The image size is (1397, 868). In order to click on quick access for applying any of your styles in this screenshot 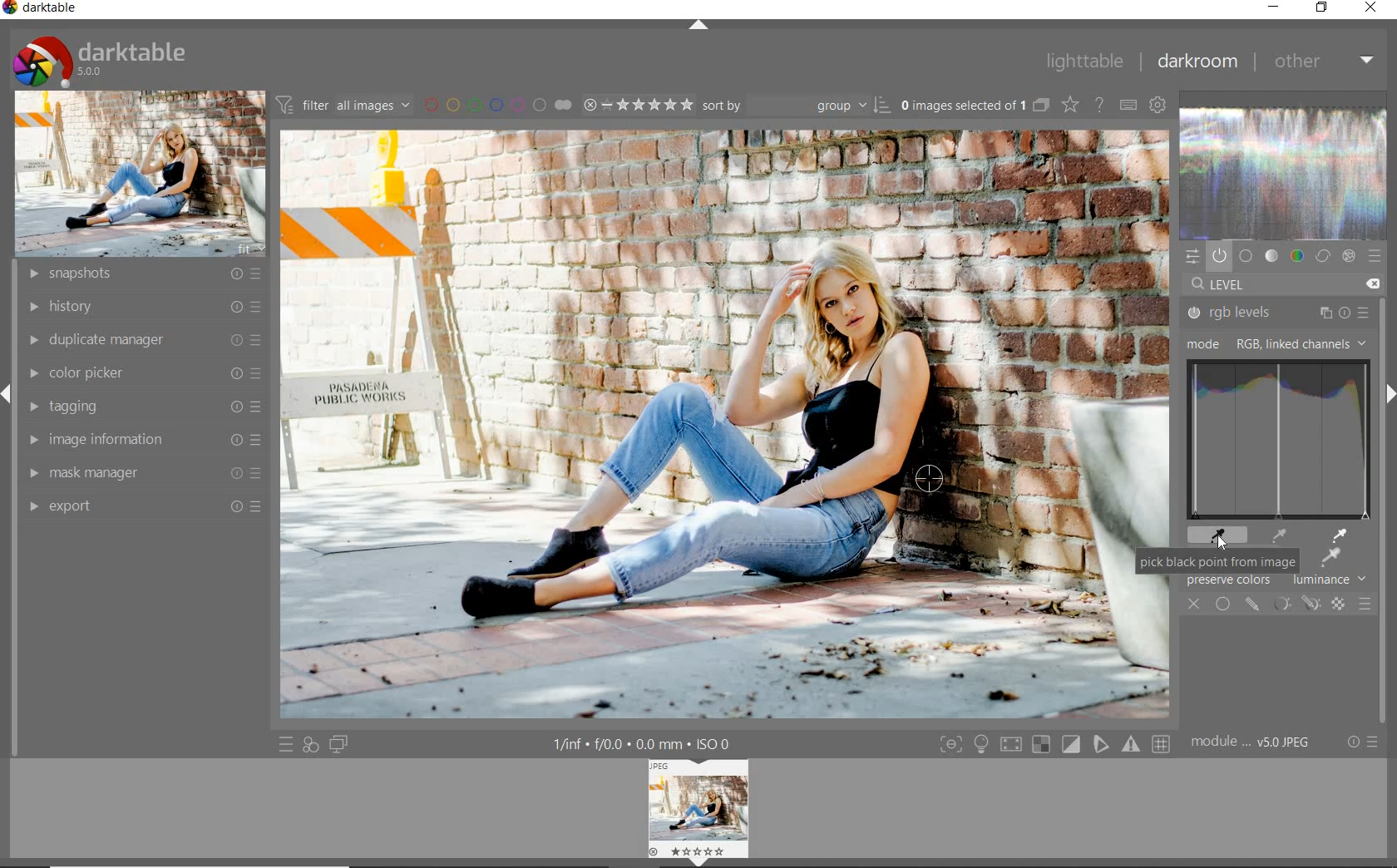, I will do `click(311, 745)`.